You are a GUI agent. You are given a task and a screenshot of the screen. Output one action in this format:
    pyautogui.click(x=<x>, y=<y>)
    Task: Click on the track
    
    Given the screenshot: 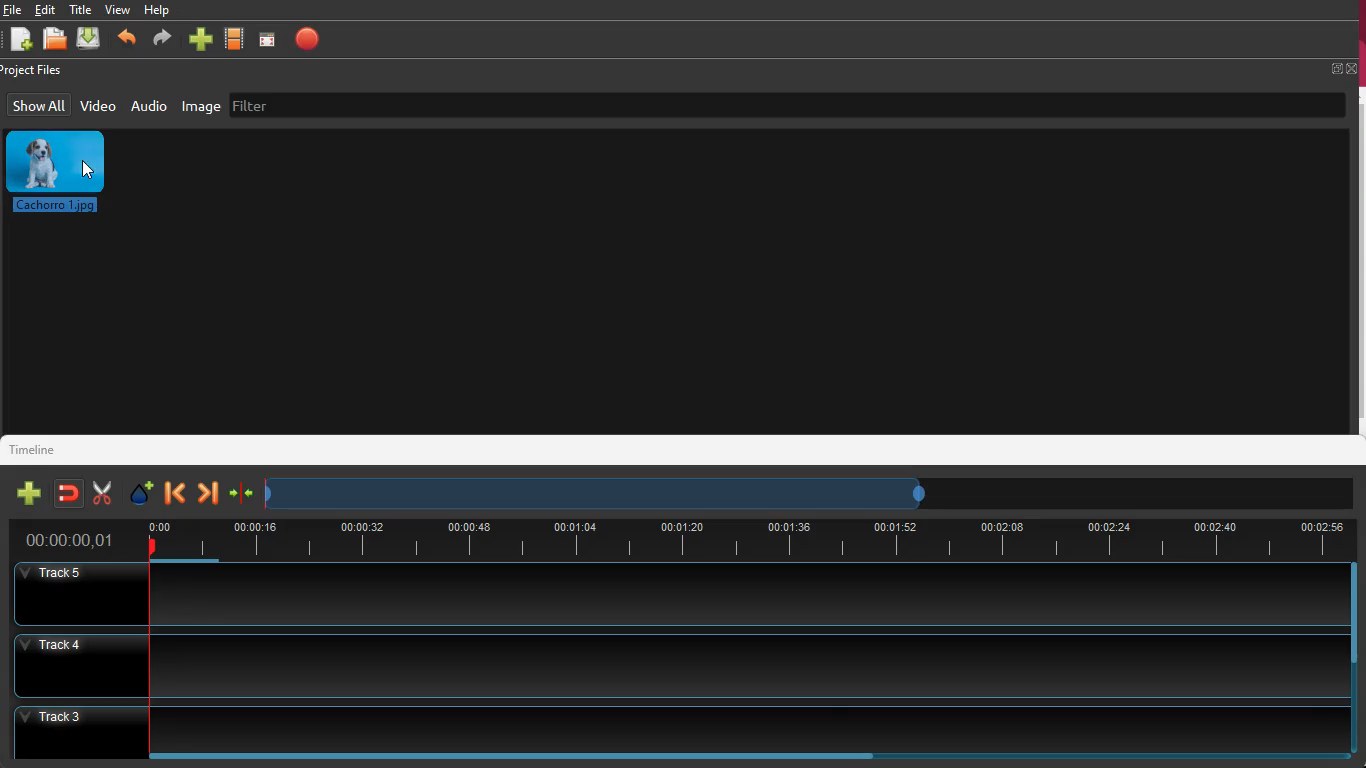 What is the action you would take?
    pyautogui.click(x=672, y=594)
    